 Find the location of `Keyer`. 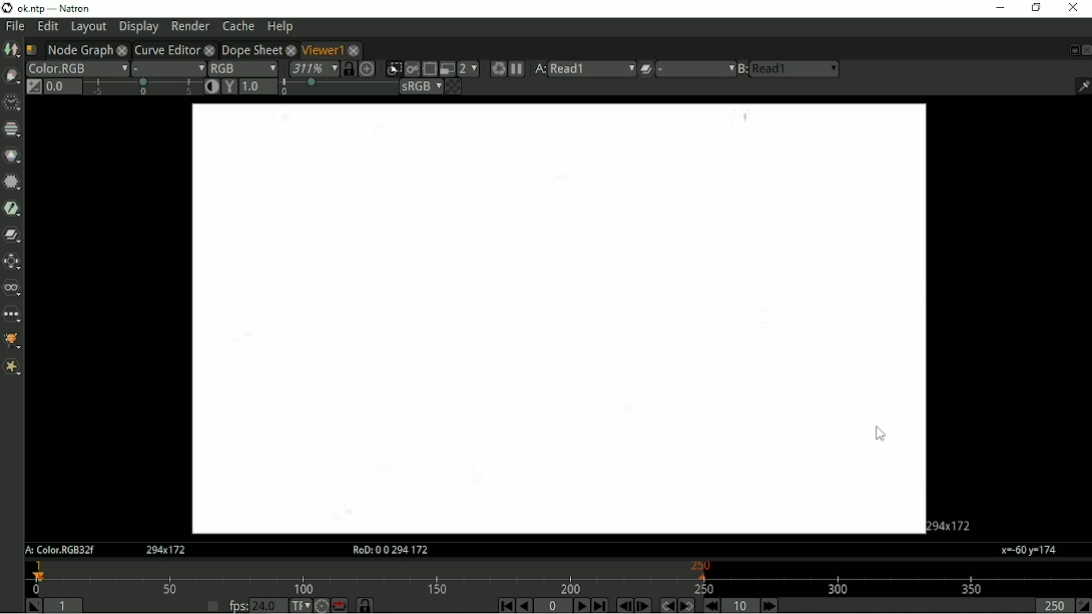

Keyer is located at coordinates (12, 209).